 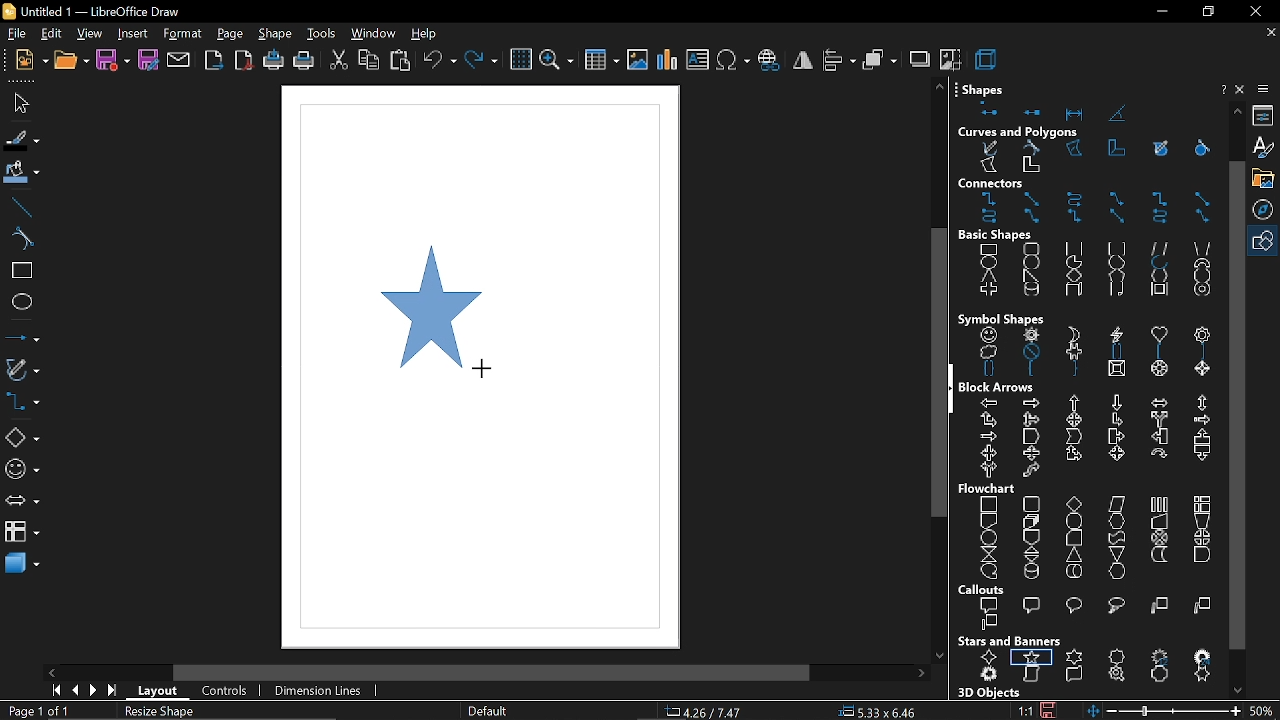 What do you see at coordinates (1091, 109) in the screenshot?
I see `shapes` at bounding box center [1091, 109].